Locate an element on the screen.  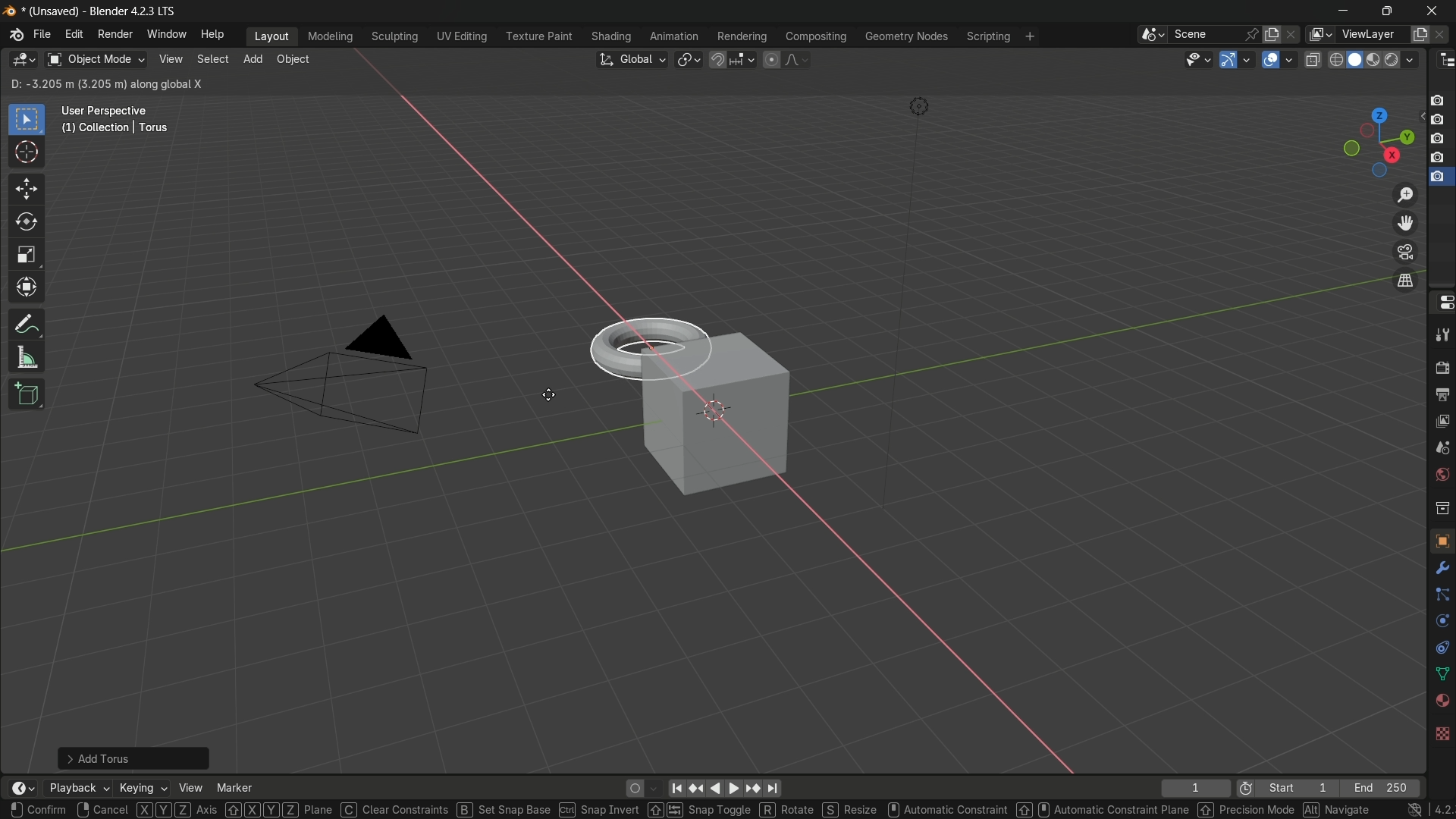
scene is located at coordinates (1441, 451).